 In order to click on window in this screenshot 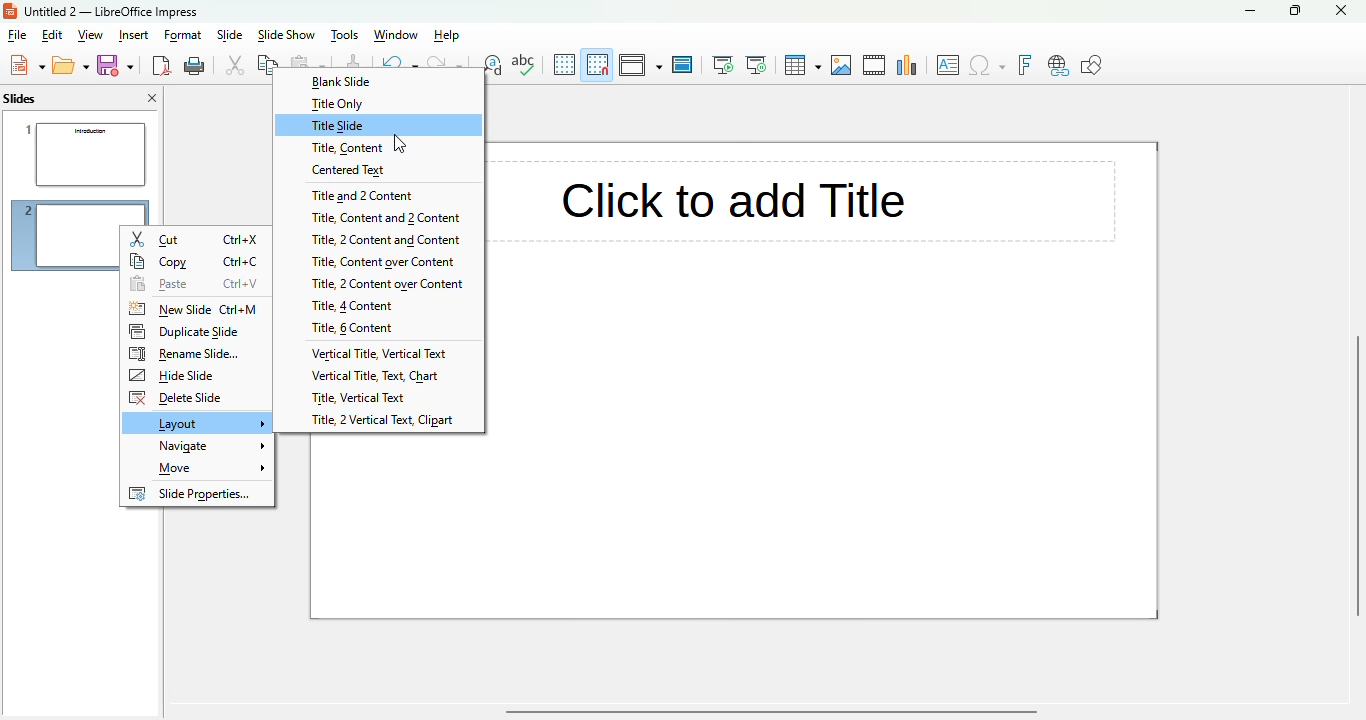, I will do `click(394, 35)`.